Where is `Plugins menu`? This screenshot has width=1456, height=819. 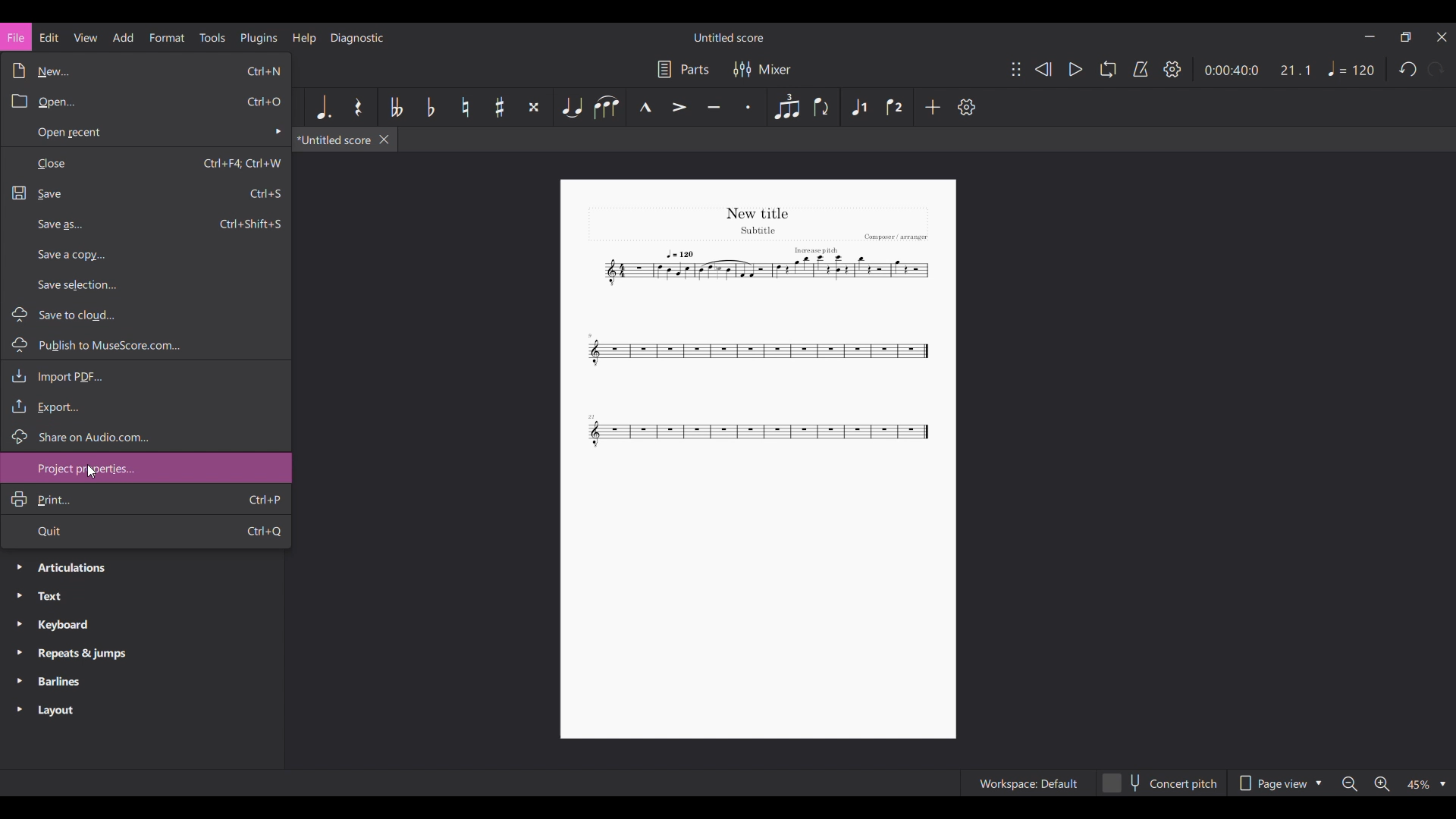 Plugins menu is located at coordinates (259, 38).